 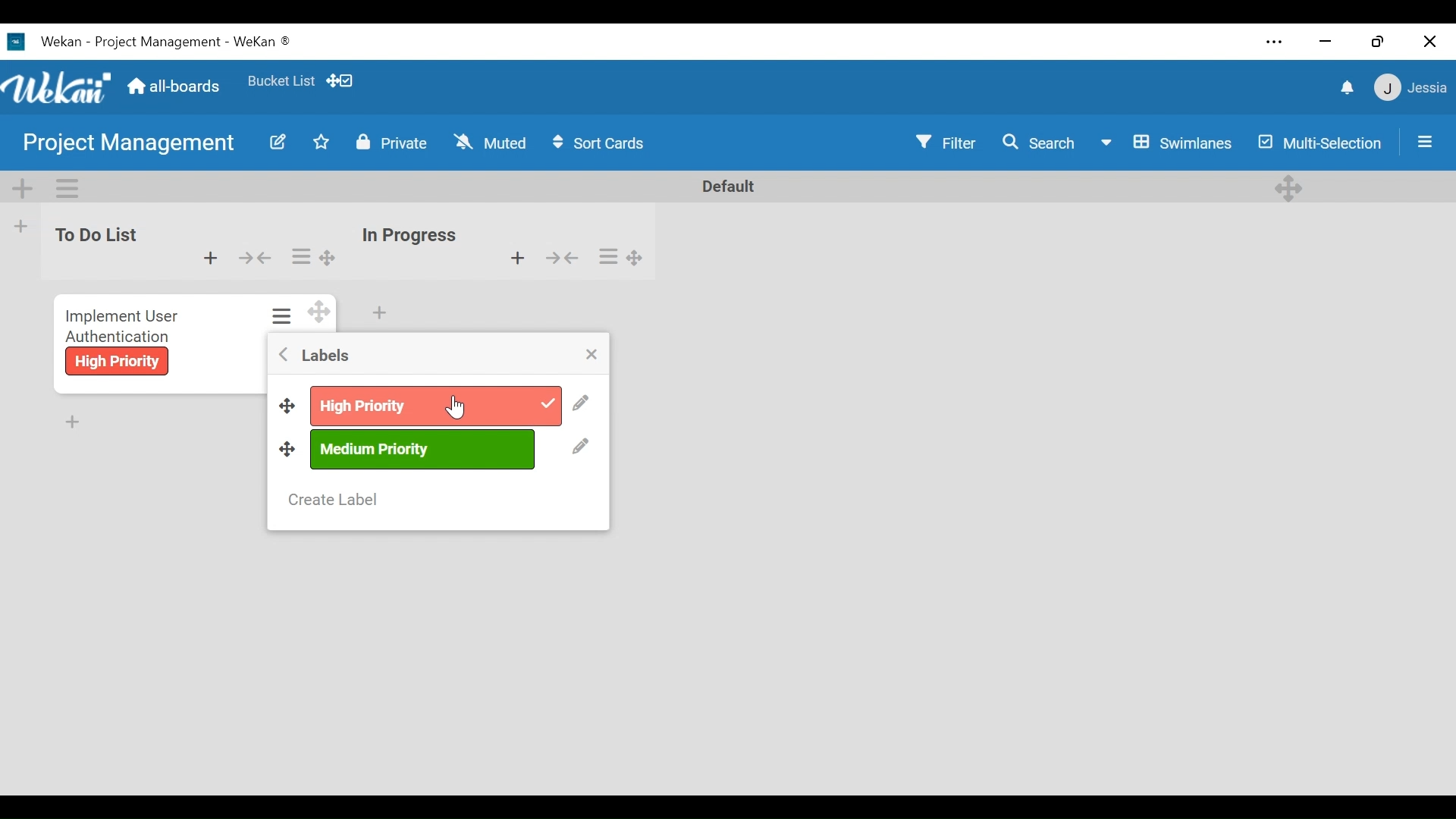 What do you see at coordinates (591, 354) in the screenshot?
I see `close` at bounding box center [591, 354].